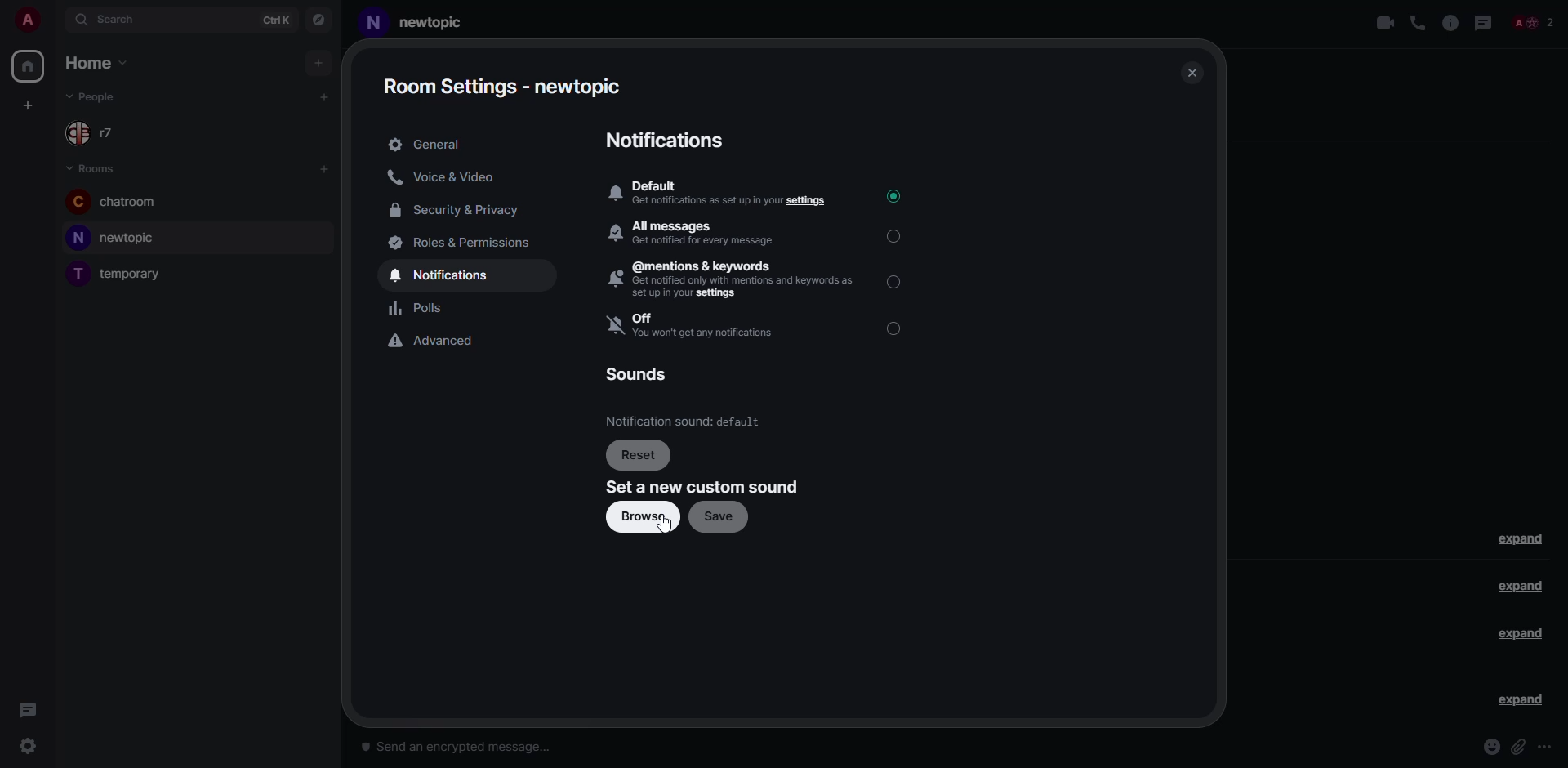 The image size is (1568, 768). I want to click on add, so click(322, 168).